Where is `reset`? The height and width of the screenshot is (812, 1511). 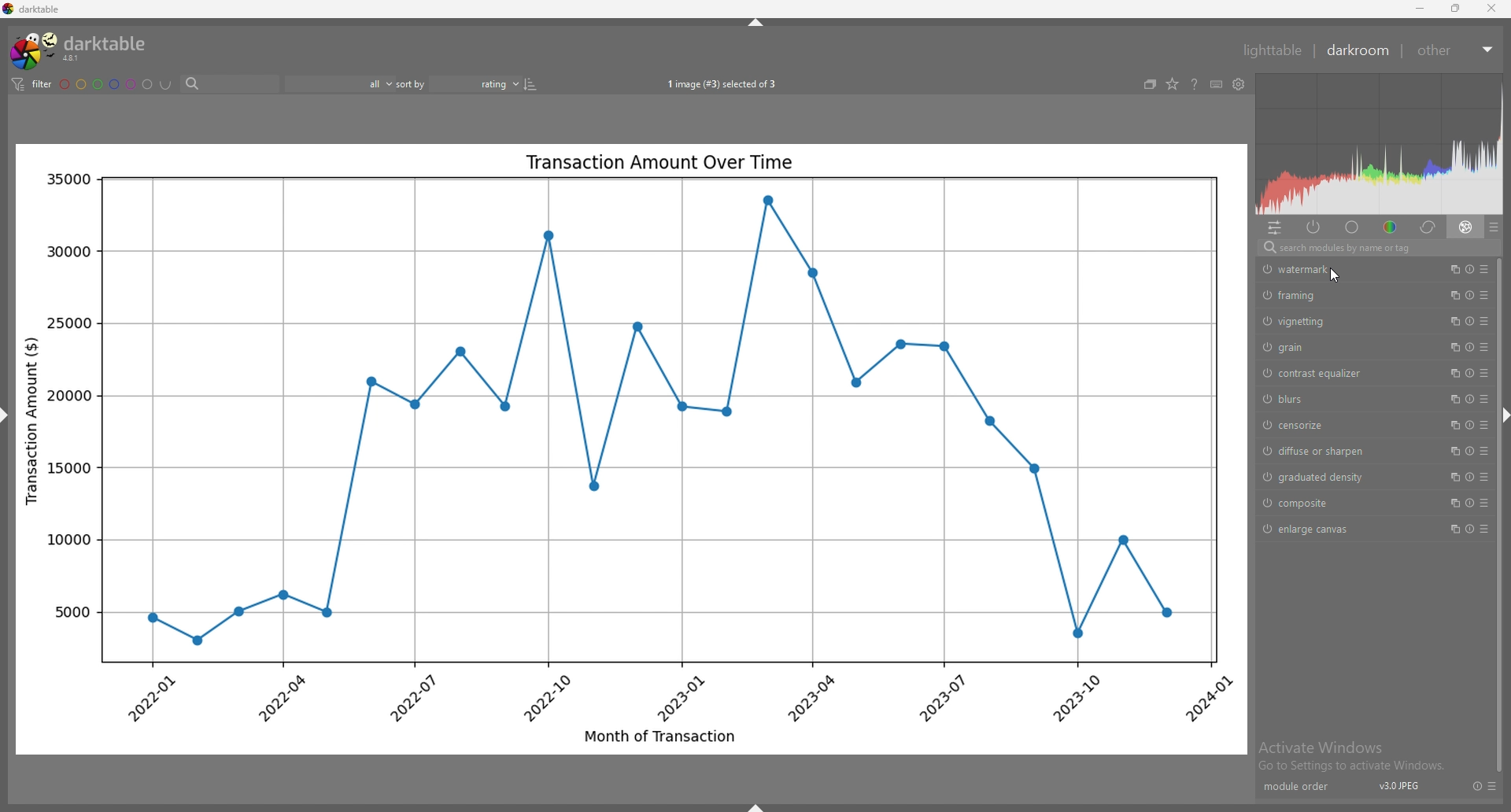 reset is located at coordinates (1469, 476).